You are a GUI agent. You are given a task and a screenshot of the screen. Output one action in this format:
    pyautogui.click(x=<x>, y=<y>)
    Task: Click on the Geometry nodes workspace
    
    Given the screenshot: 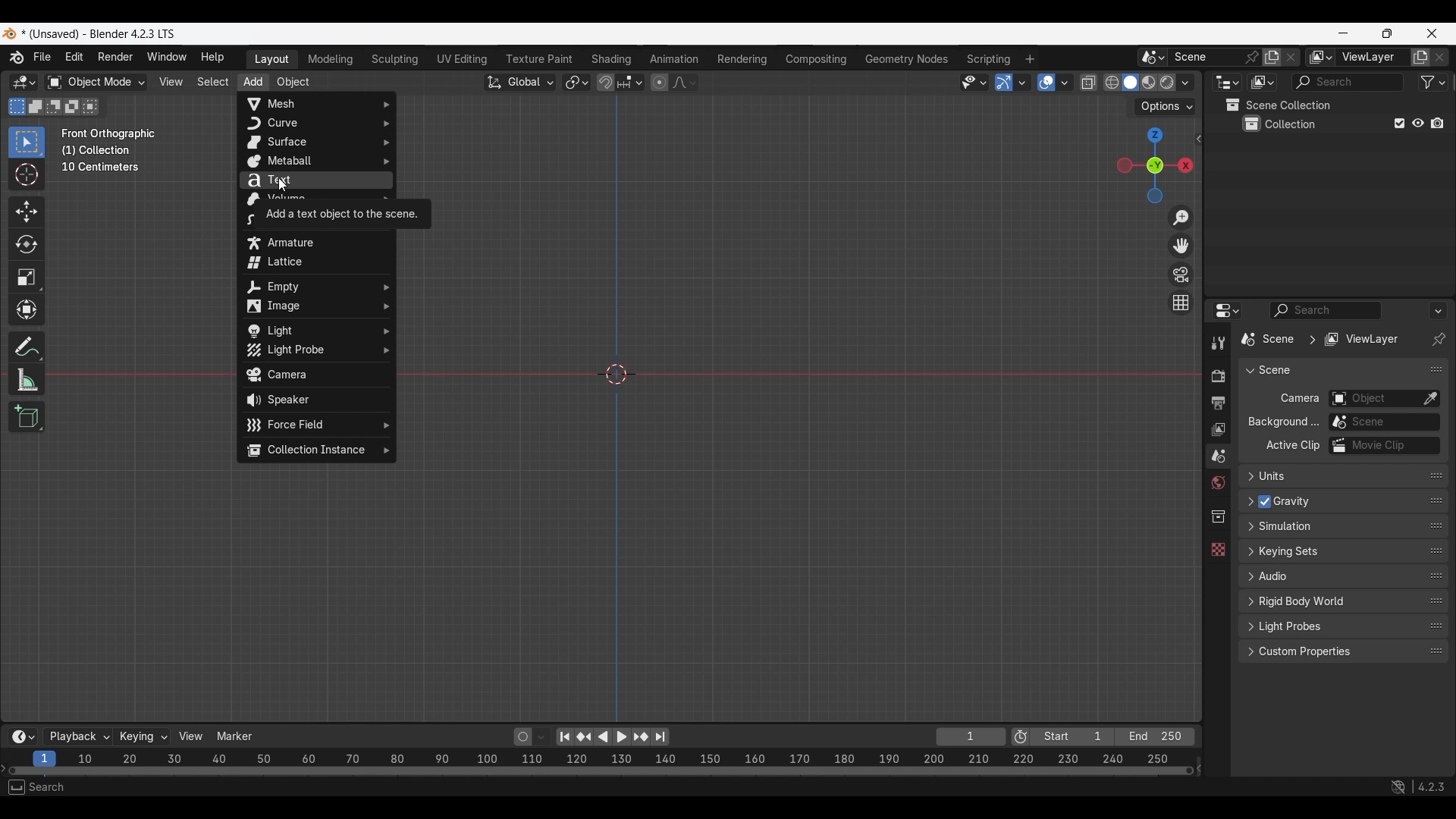 What is the action you would take?
    pyautogui.click(x=906, y=58)
    